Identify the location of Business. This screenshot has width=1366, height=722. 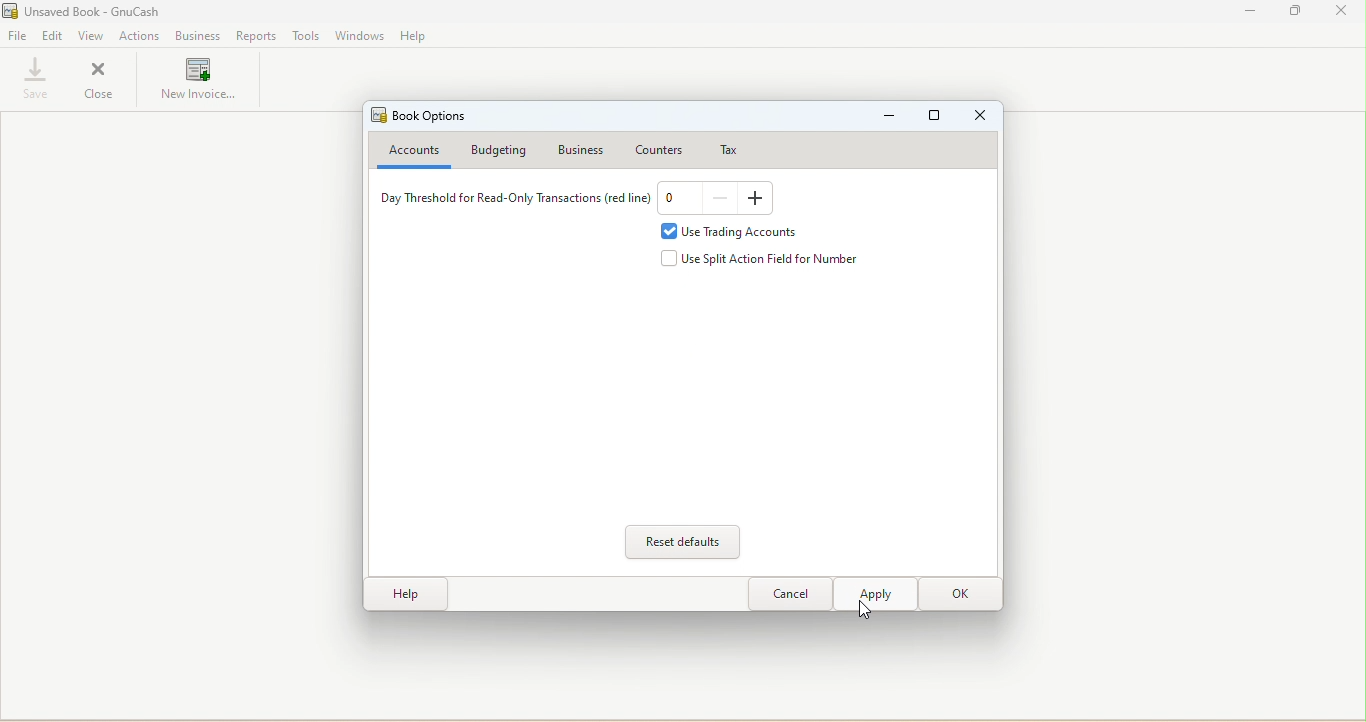
(198, 35).